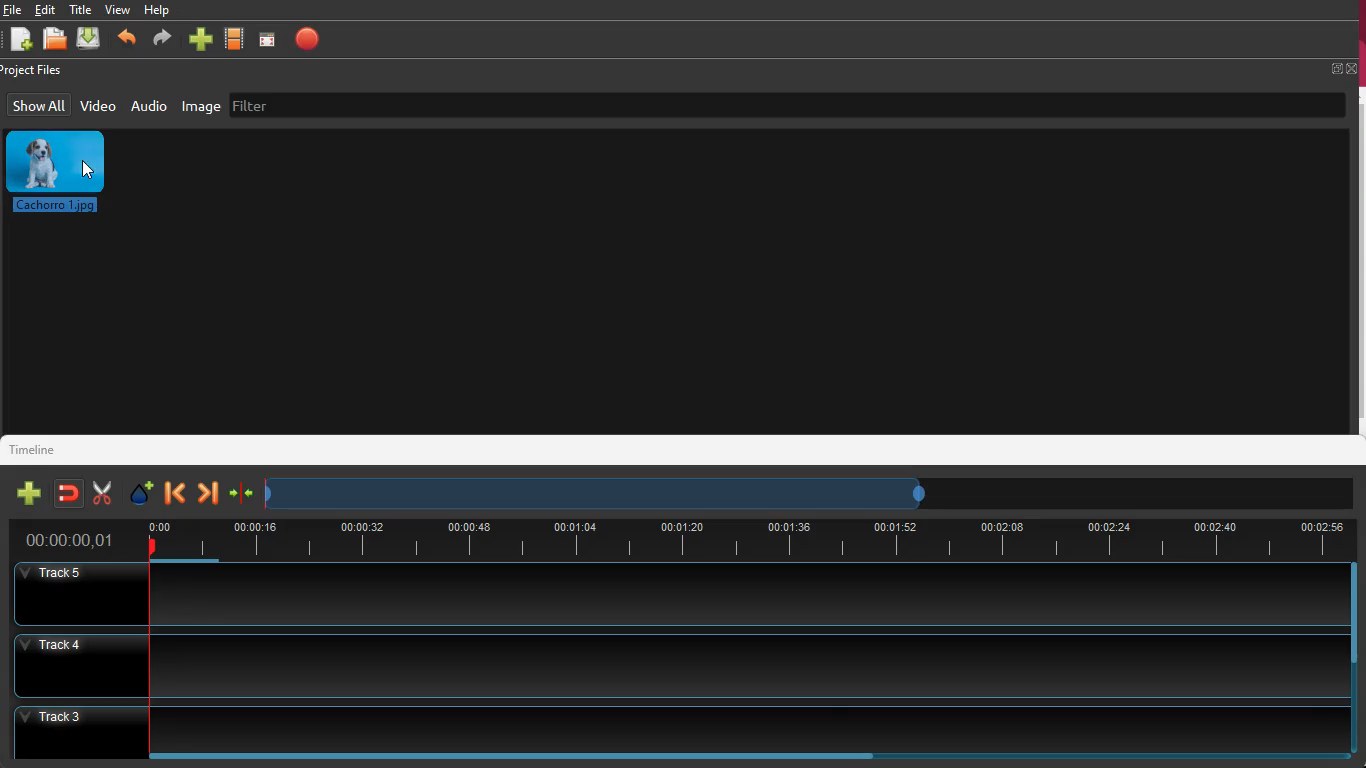  What do you see at coordinates (38, 451) in the screenshot?
I see `timeline` at bounding box center [38, 451].